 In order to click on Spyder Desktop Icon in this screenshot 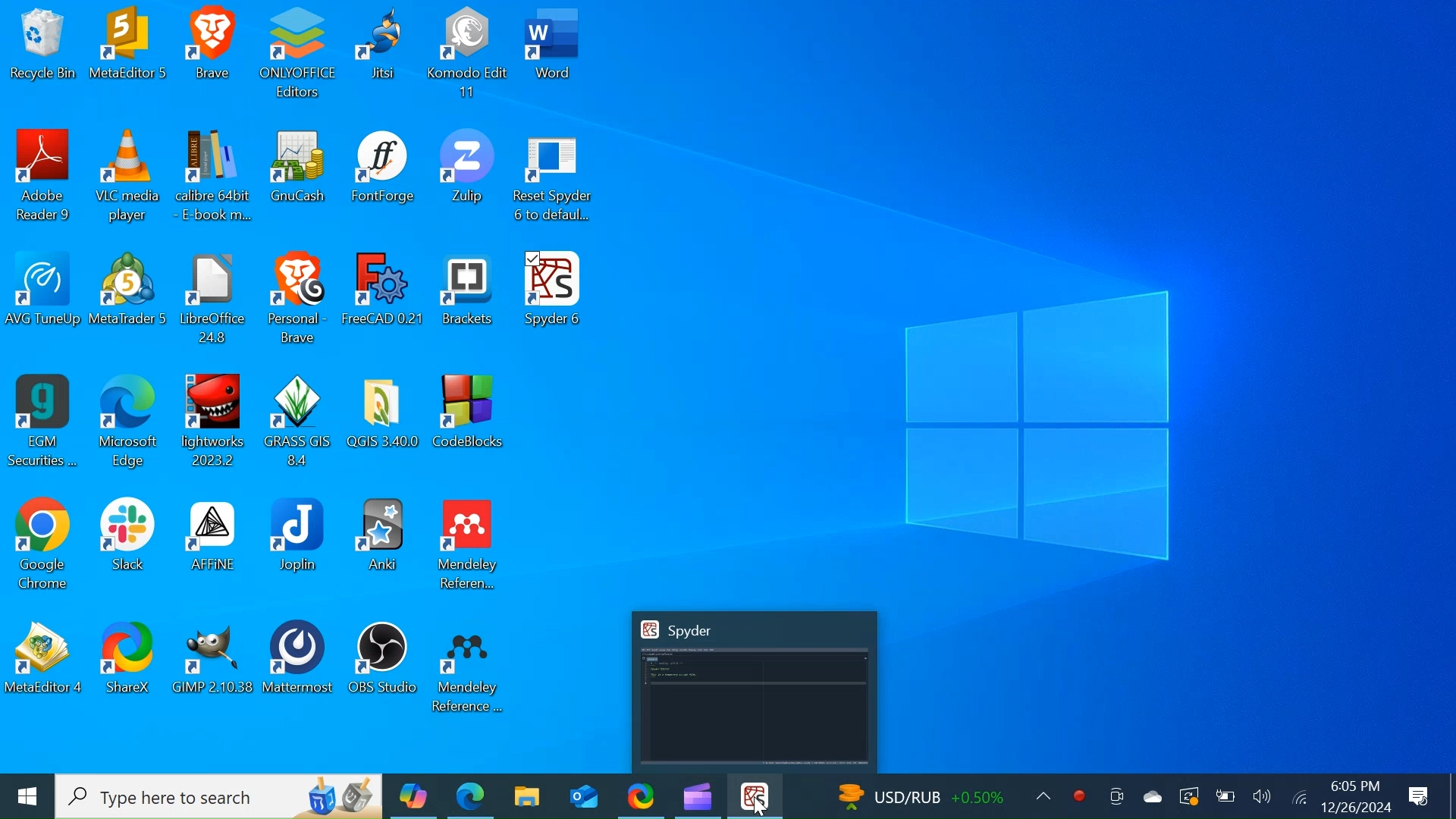, I will do `click(549, 301)`.